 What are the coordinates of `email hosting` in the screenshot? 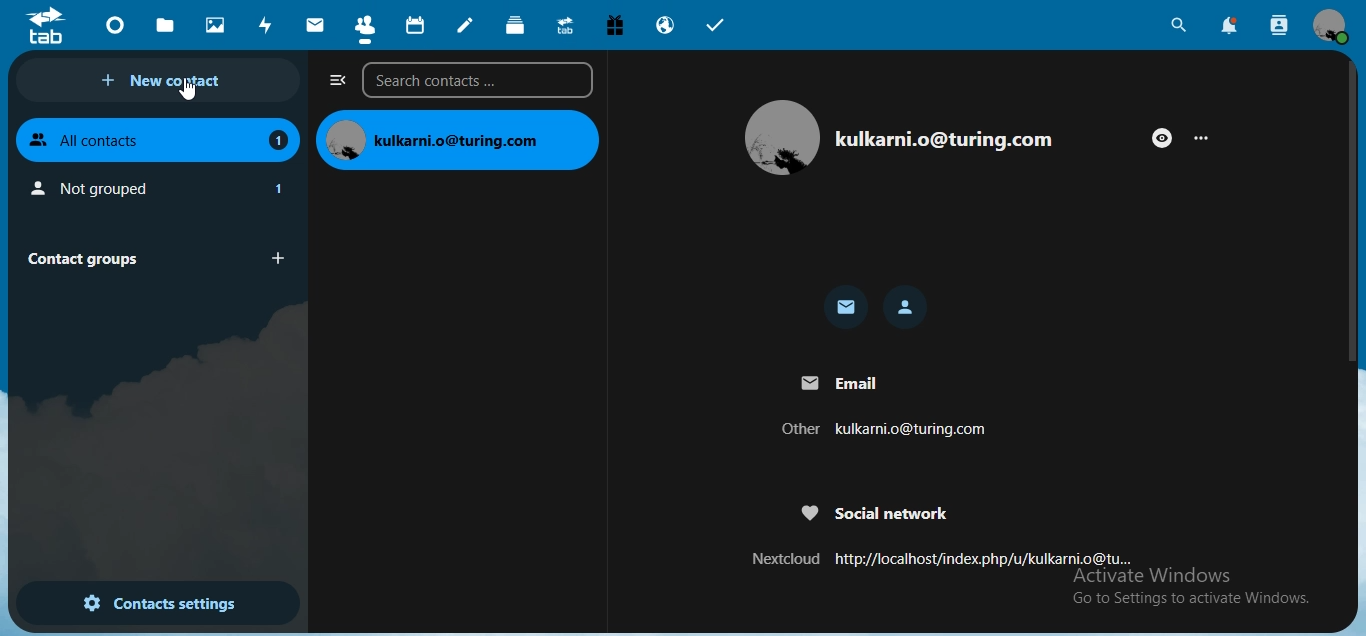 It's located at (664, 27).